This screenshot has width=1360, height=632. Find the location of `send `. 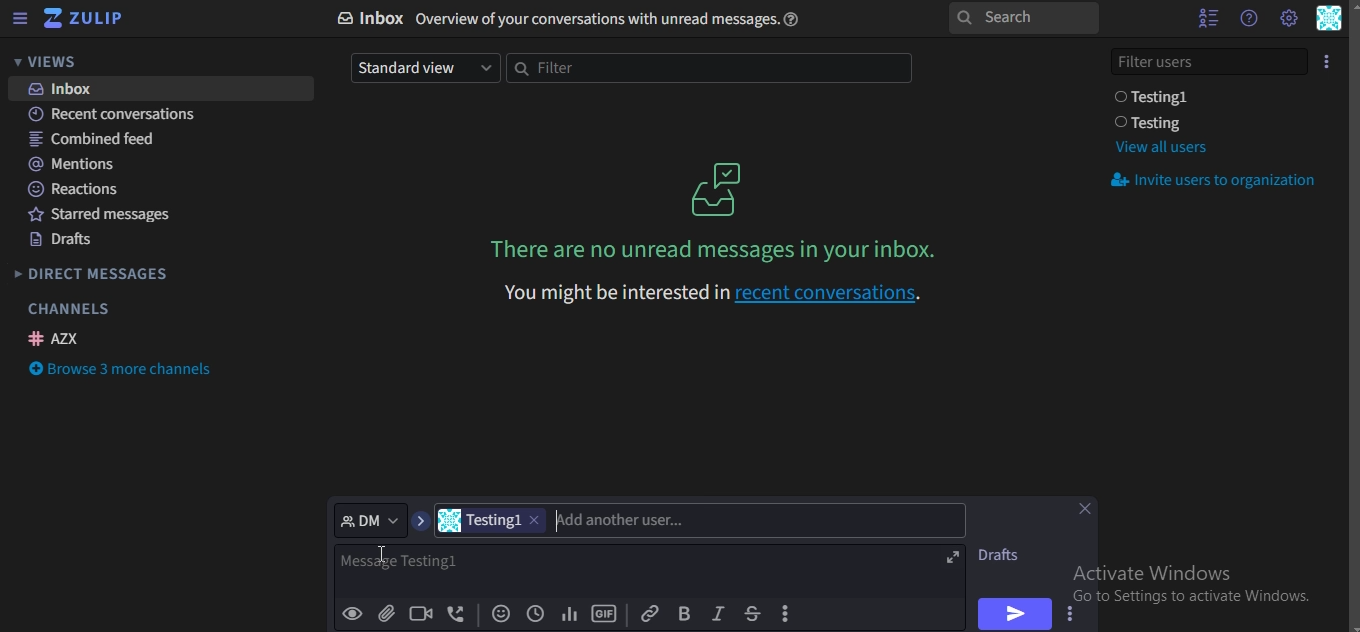

send  is located at coordinates (1012, 613).